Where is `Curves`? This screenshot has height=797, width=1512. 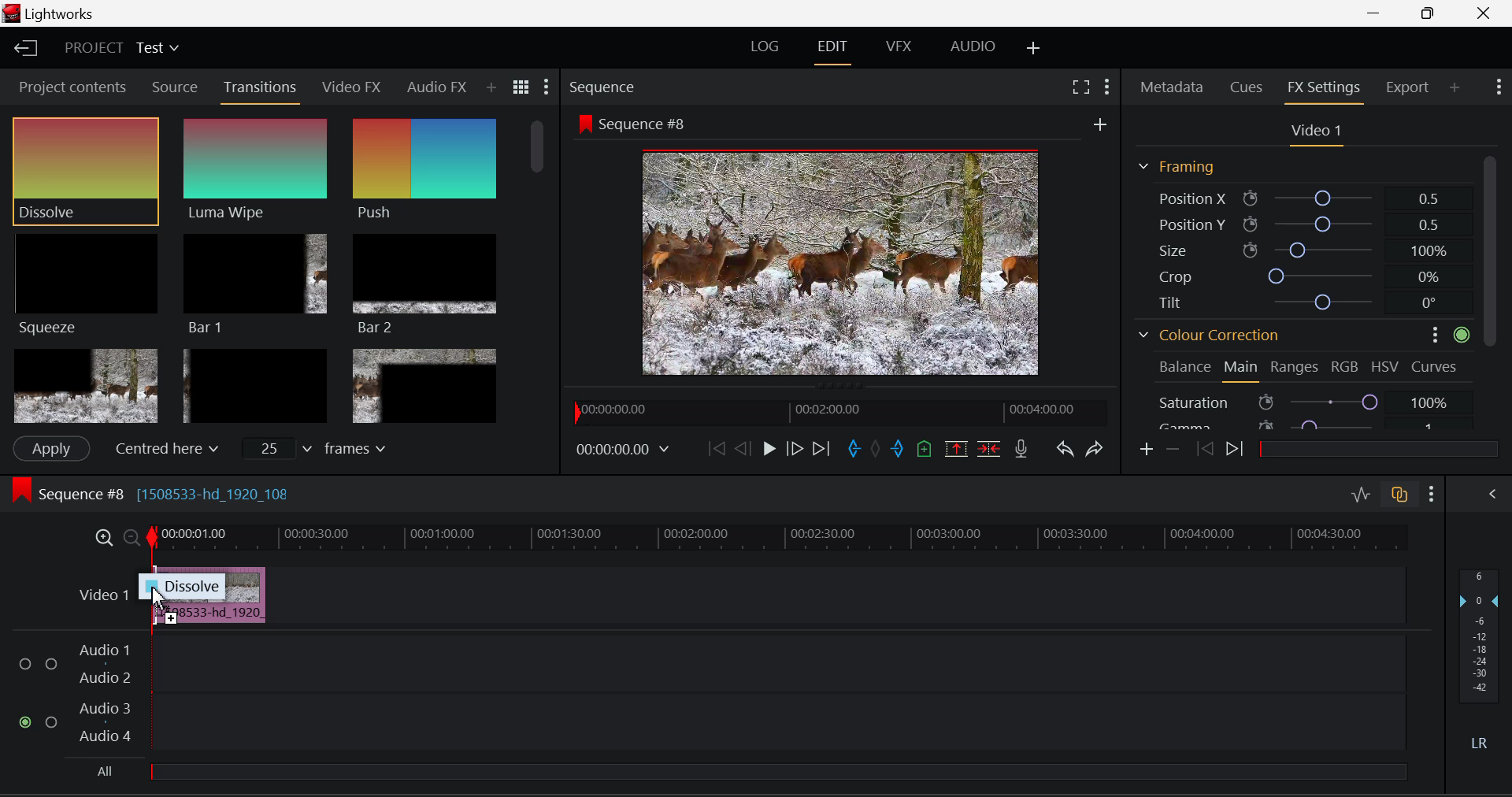 Curves is located at coordinates (1436, 365).